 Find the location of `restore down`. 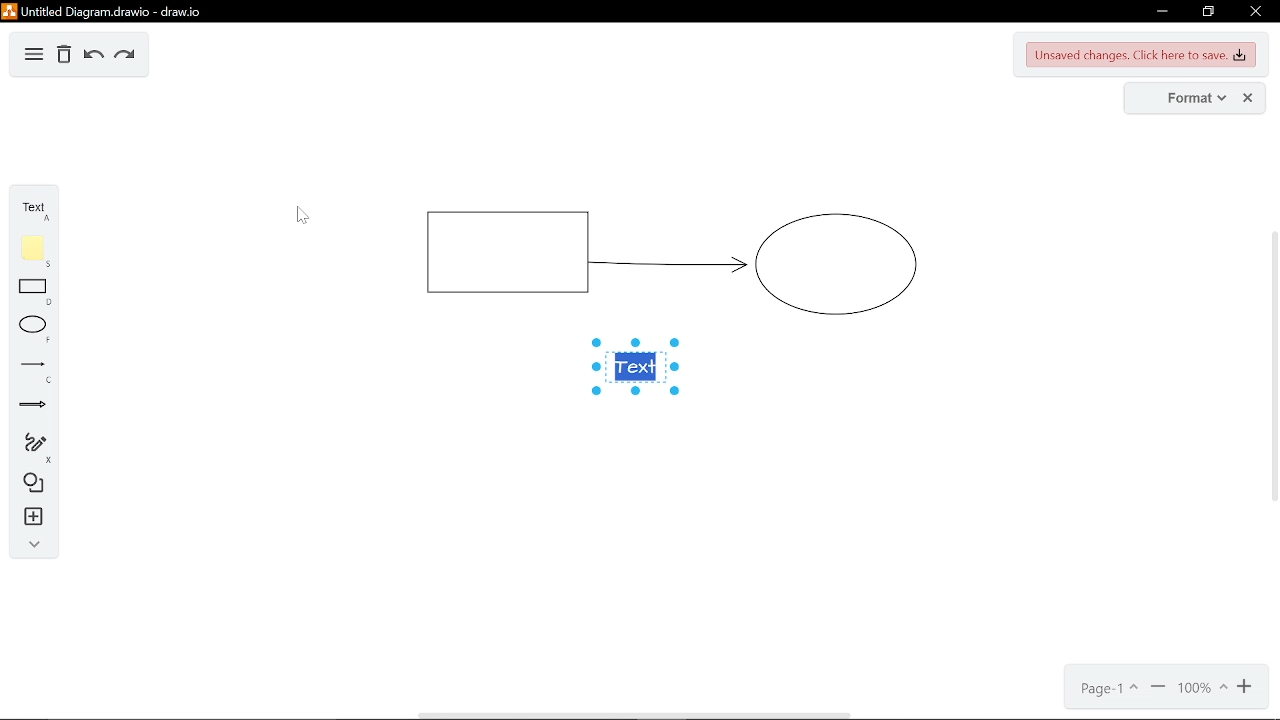

restore down is located at coordinates (1211, 12).